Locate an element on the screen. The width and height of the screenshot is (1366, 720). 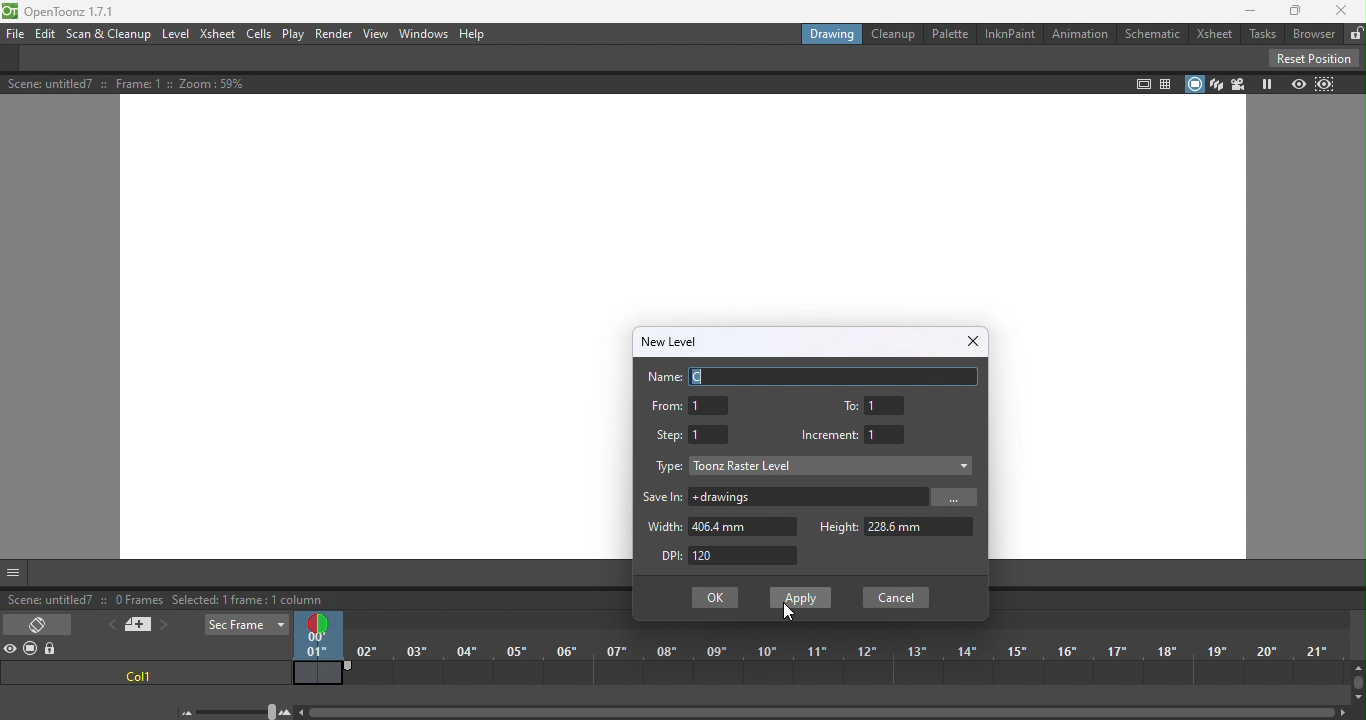
Toonz raster level is located at coordinates (832, 465).